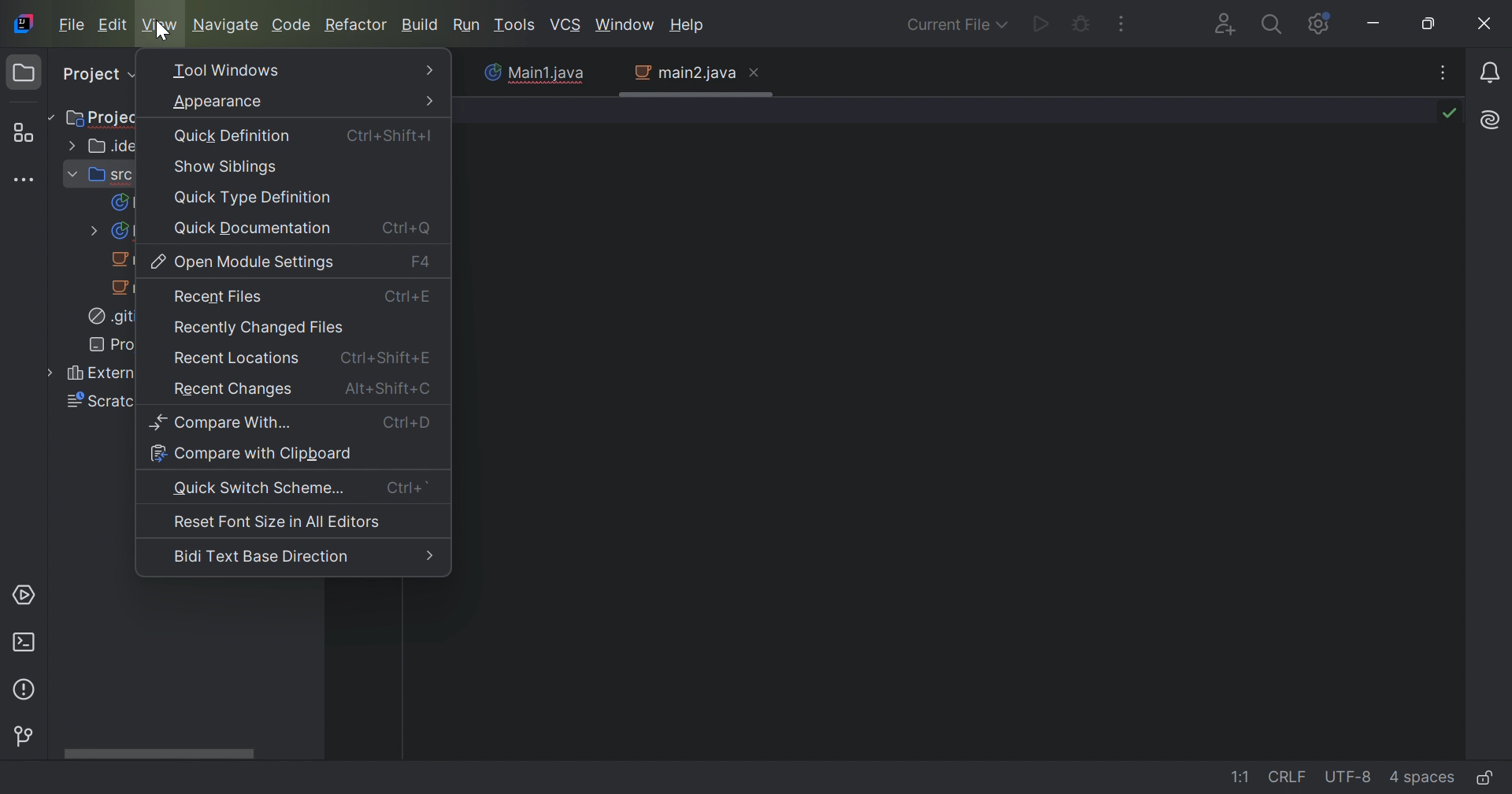 The image size is (1512, 794). What do you see at coordinates (235, 361) in the screenshot?
I see `Recent locations` at bounding box center [235, 361].